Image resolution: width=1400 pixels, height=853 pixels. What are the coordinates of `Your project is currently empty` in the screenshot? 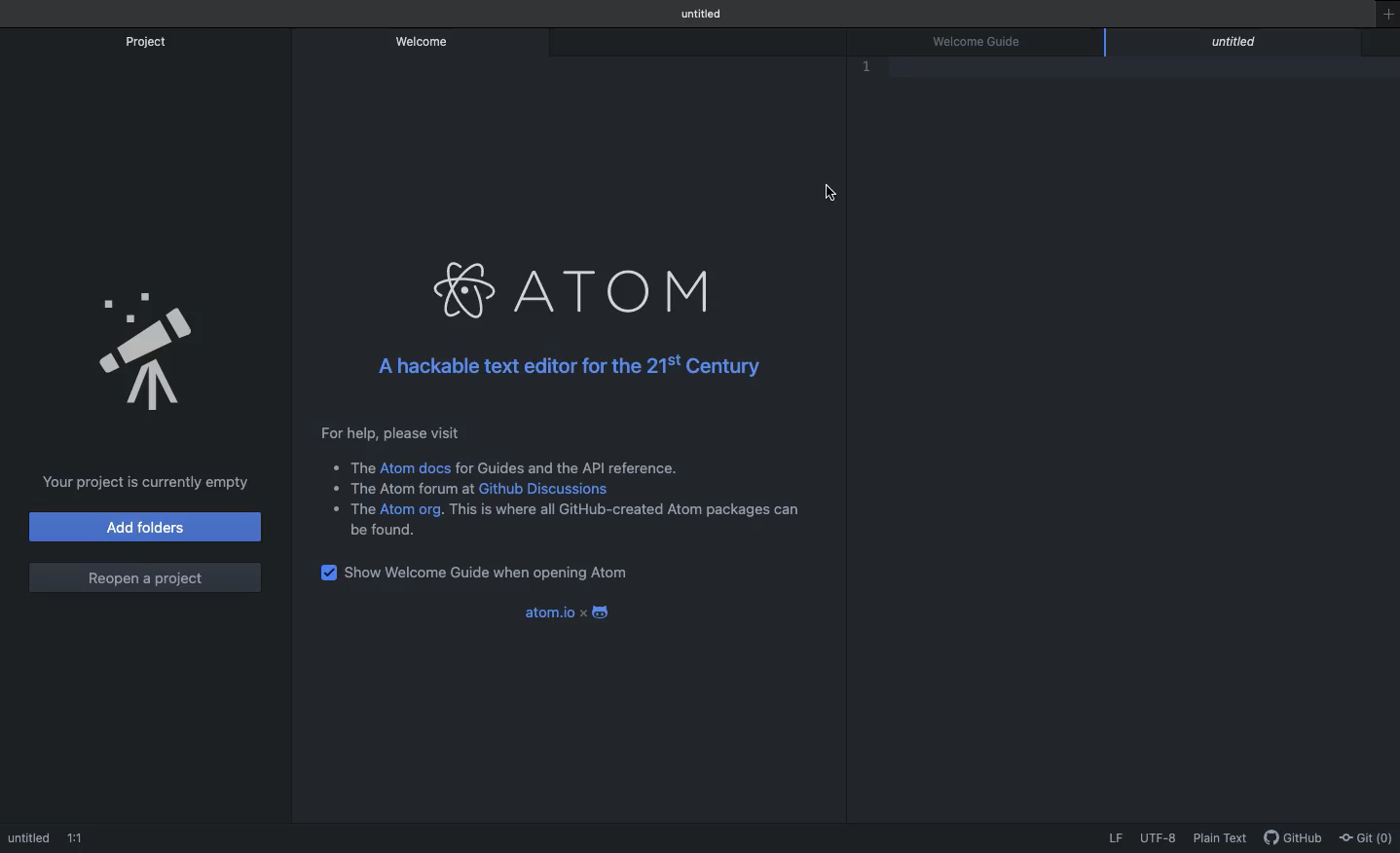 It's located at (136, 483).